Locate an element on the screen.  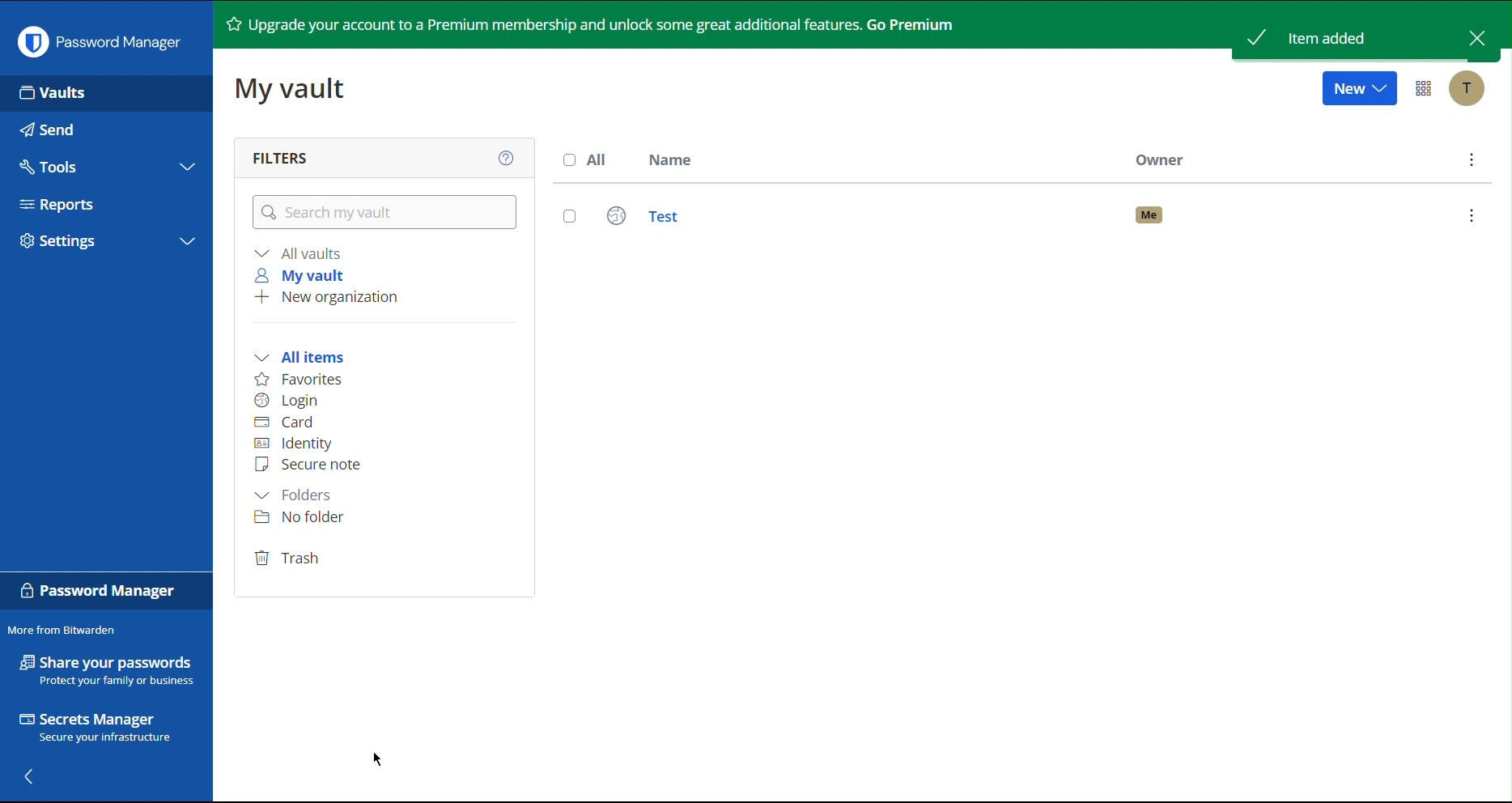
New is located at coordinates (1359, 87).